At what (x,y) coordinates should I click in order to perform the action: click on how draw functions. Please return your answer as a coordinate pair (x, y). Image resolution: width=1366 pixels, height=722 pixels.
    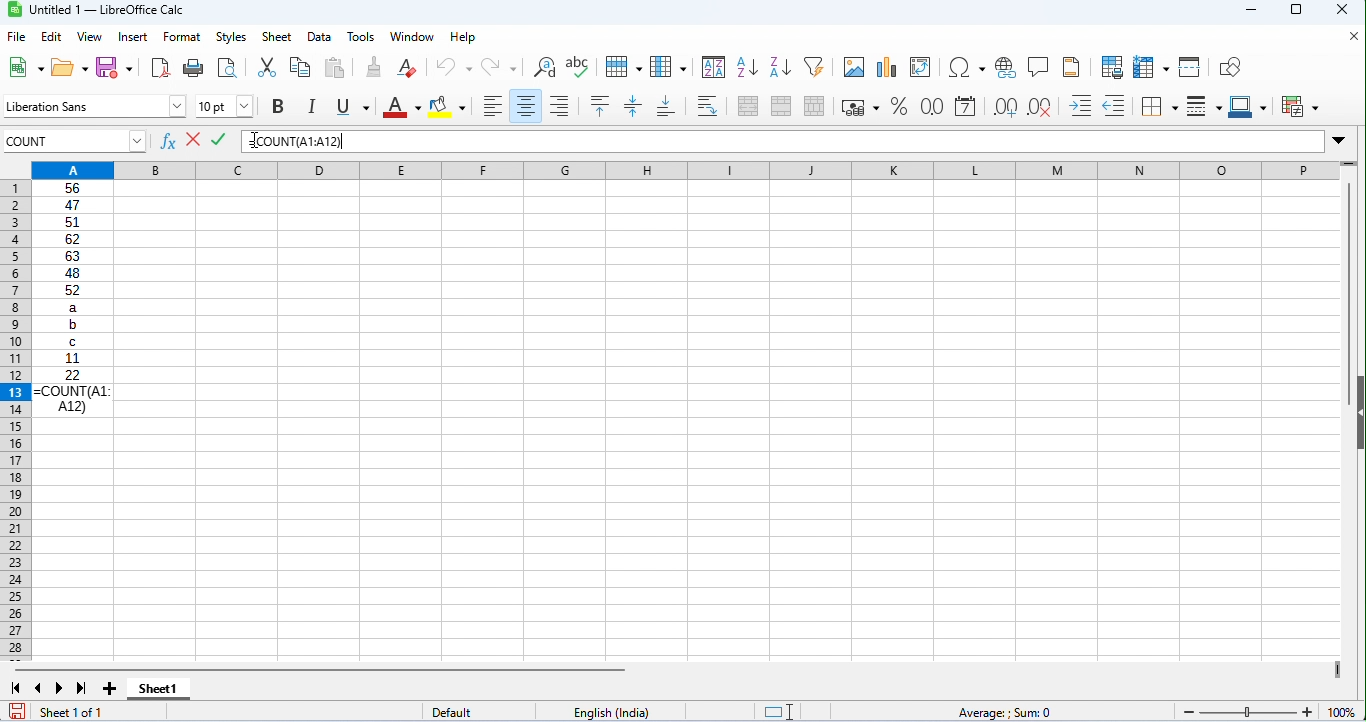
    Looking at the image, I should click on (1232, 67).